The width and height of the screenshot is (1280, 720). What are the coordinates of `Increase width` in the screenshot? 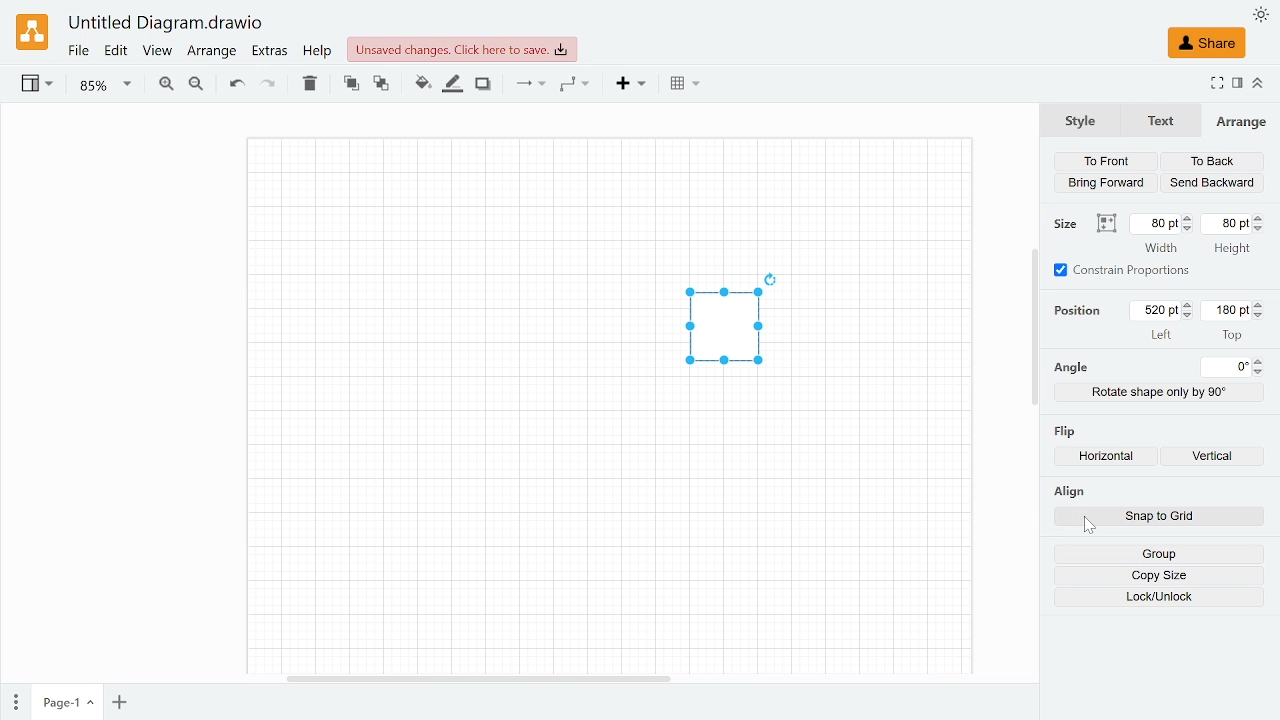 It's located at (1189, 218).